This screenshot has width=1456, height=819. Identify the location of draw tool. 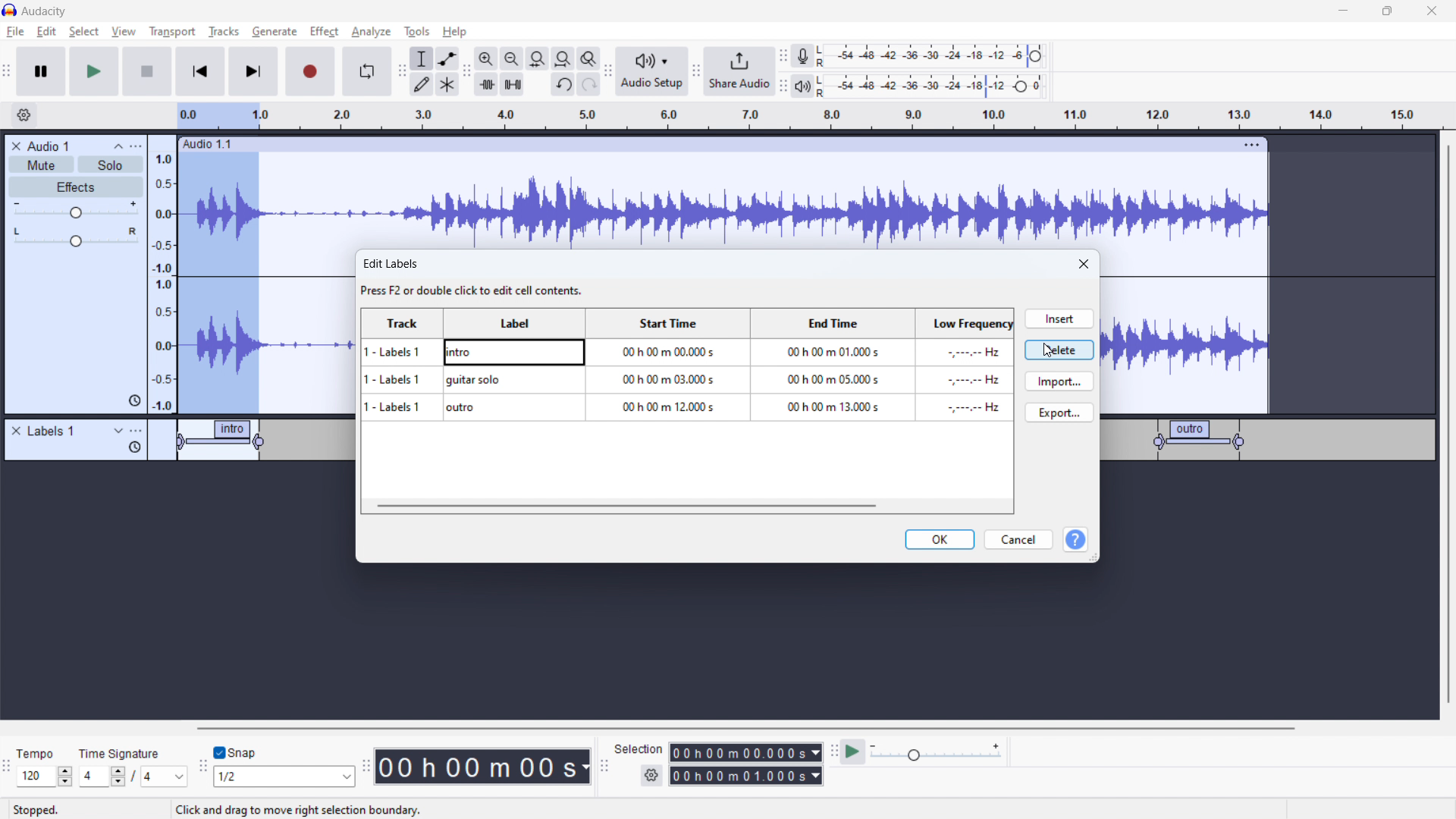
(422, 83).